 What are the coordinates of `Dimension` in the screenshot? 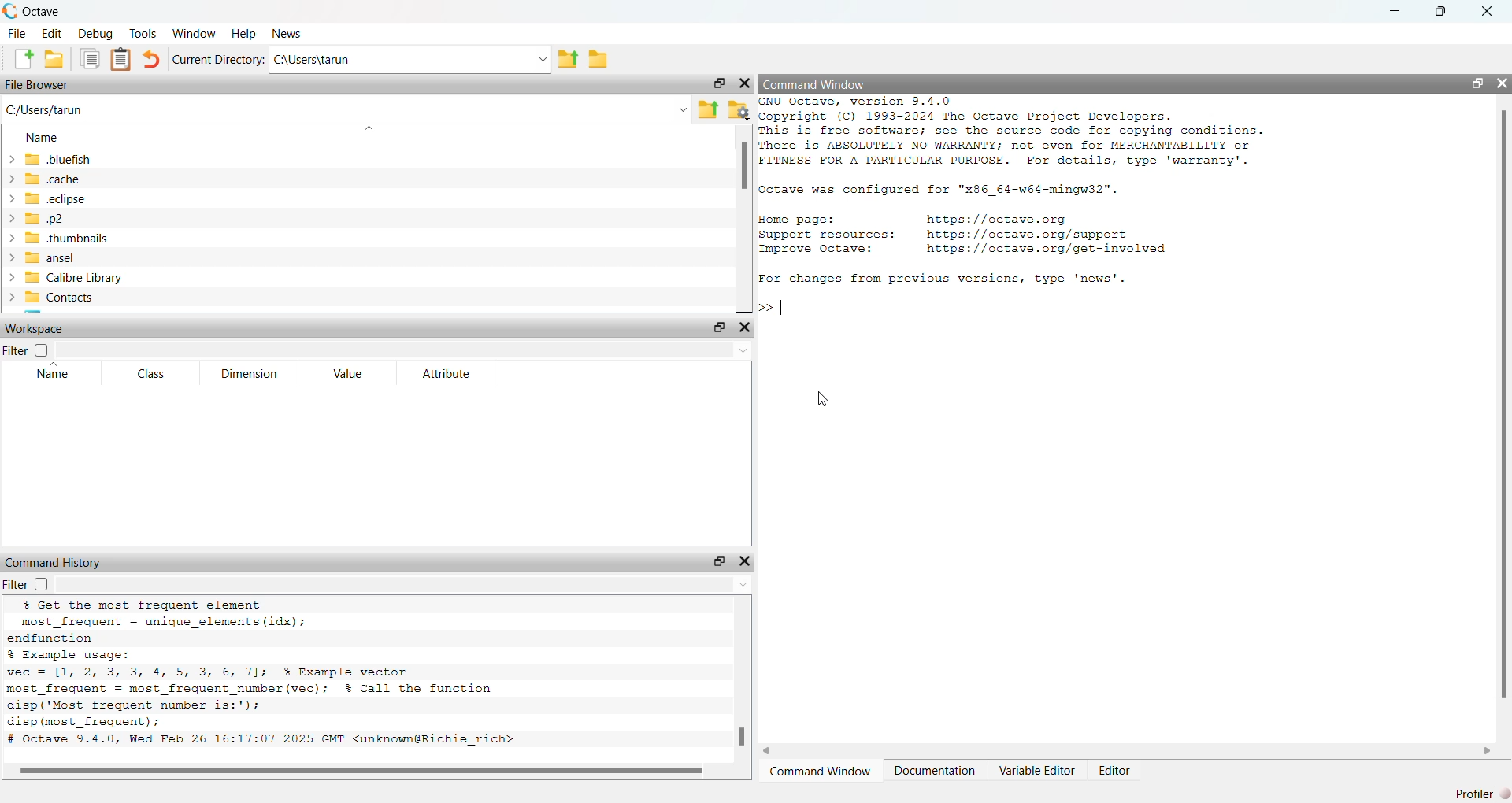 It's located at (250, 373).